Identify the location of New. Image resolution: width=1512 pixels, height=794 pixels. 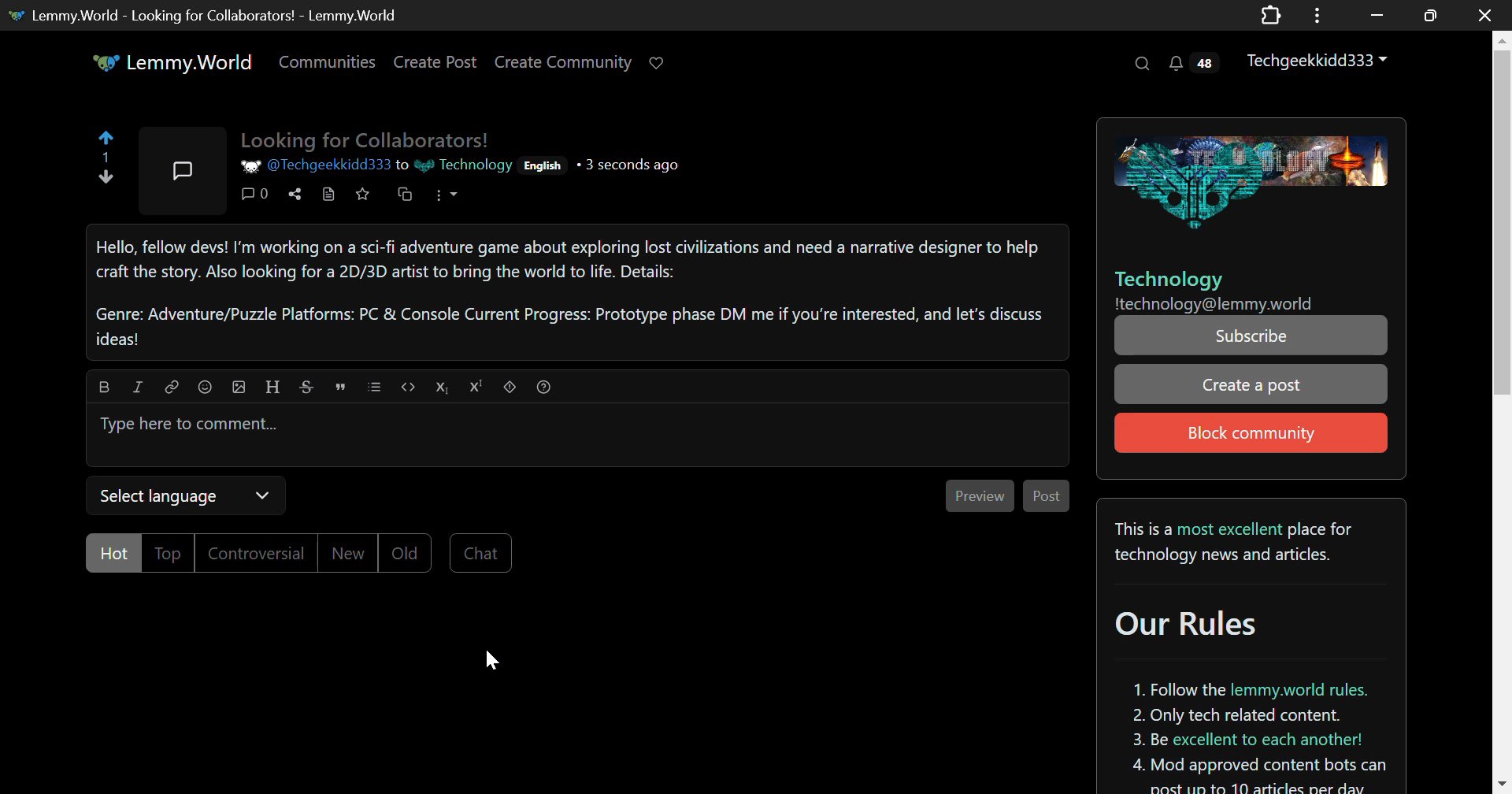
(348, 552).